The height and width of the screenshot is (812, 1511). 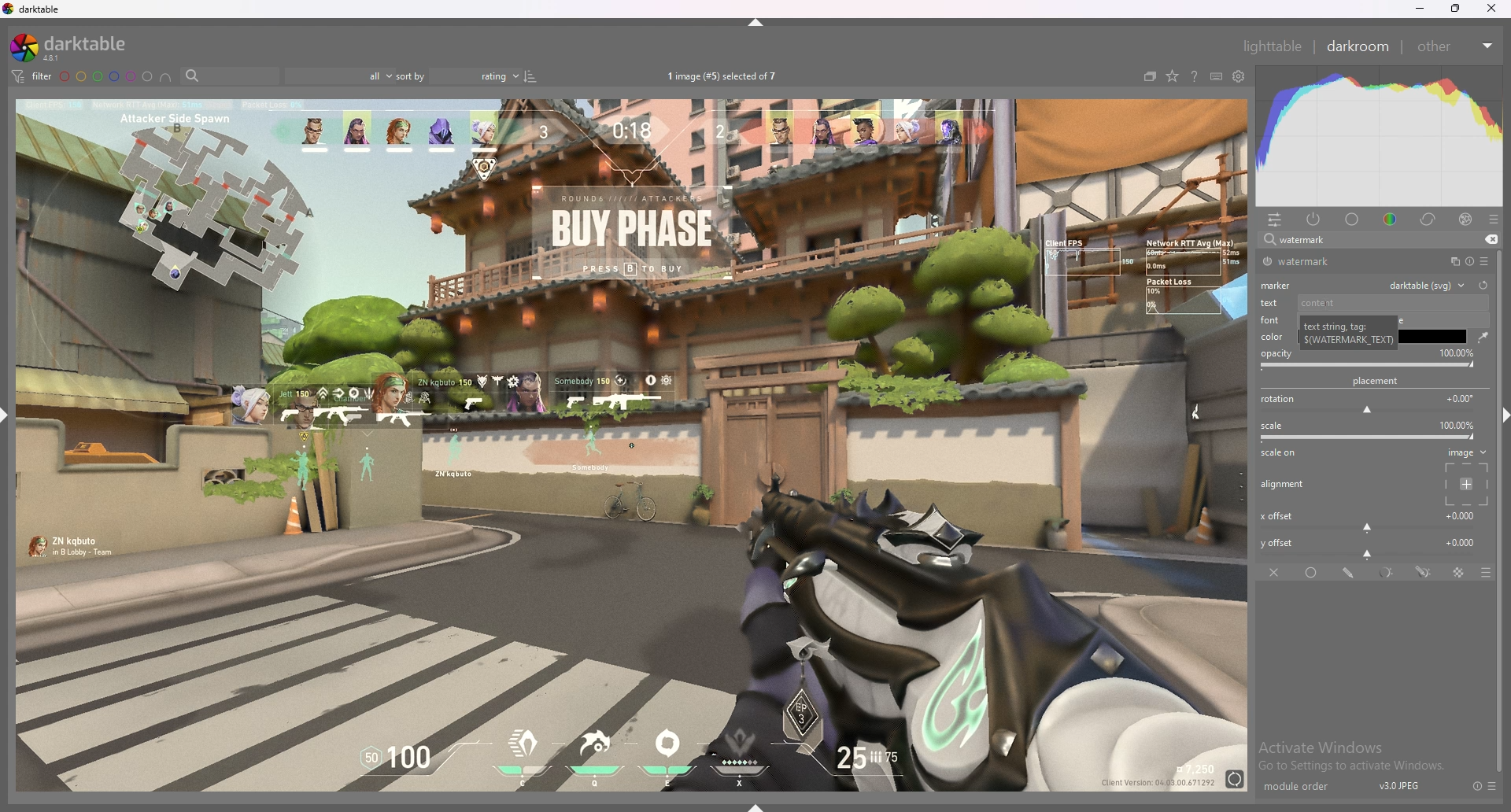 What do you see at coordinates (1369, 359) in the screenshot?
I see `opacity` at bounding box center [1369, 359].